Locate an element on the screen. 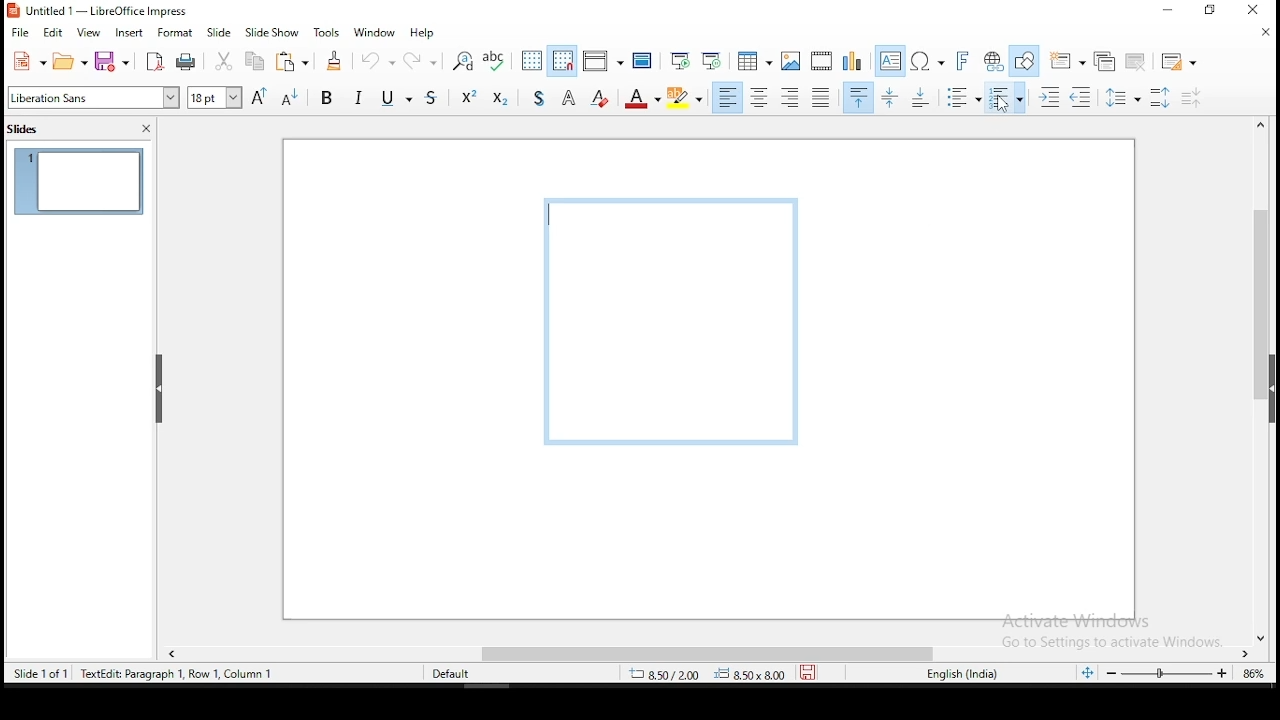 This screenshot has width=1280, height=720. display grid is located at coordinates (528, 60).